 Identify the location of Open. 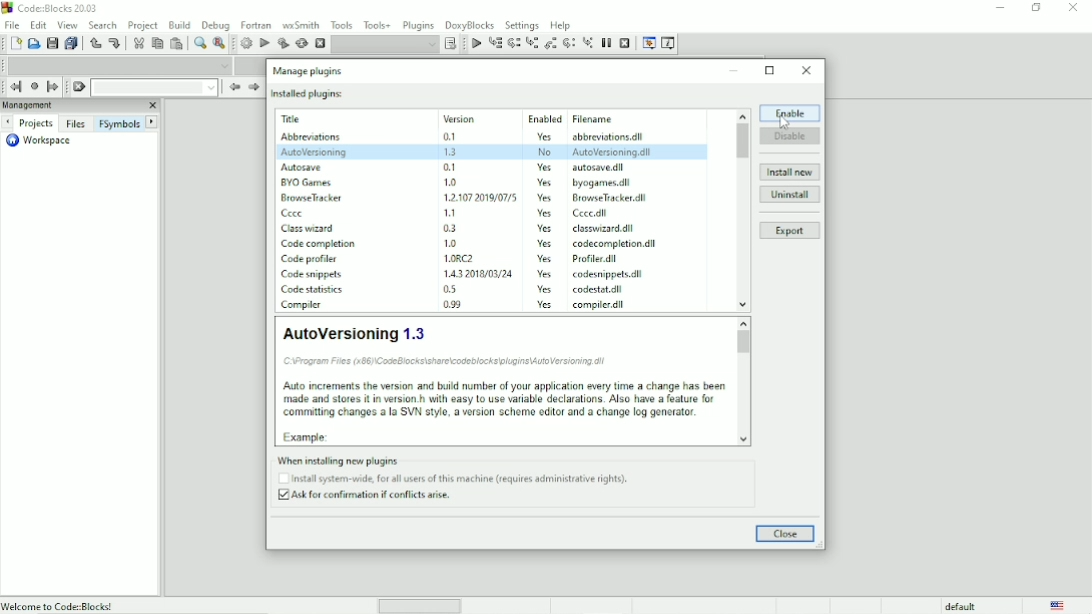
(33, 44).